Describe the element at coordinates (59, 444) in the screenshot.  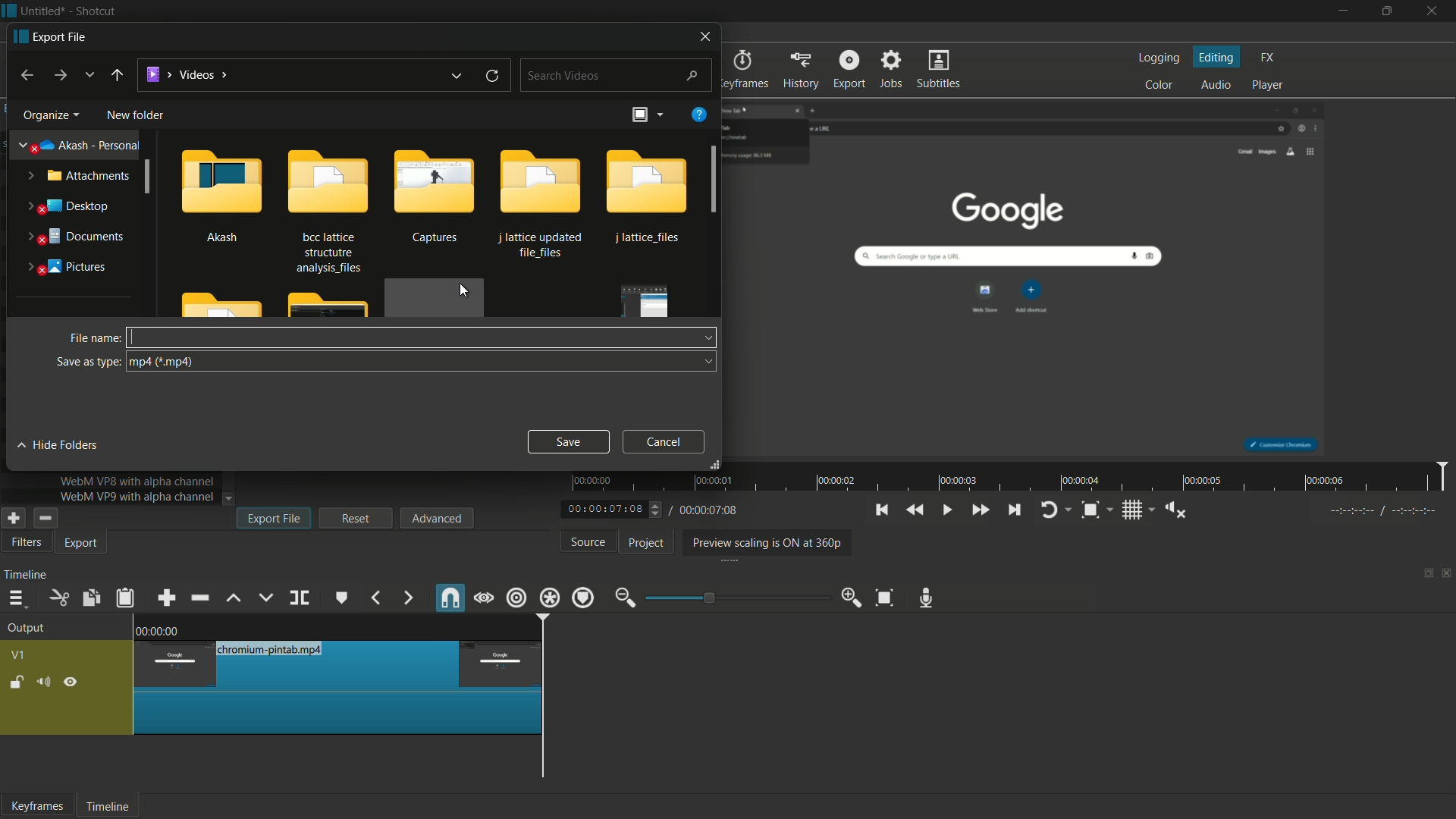
I see `hide folders` at that location.